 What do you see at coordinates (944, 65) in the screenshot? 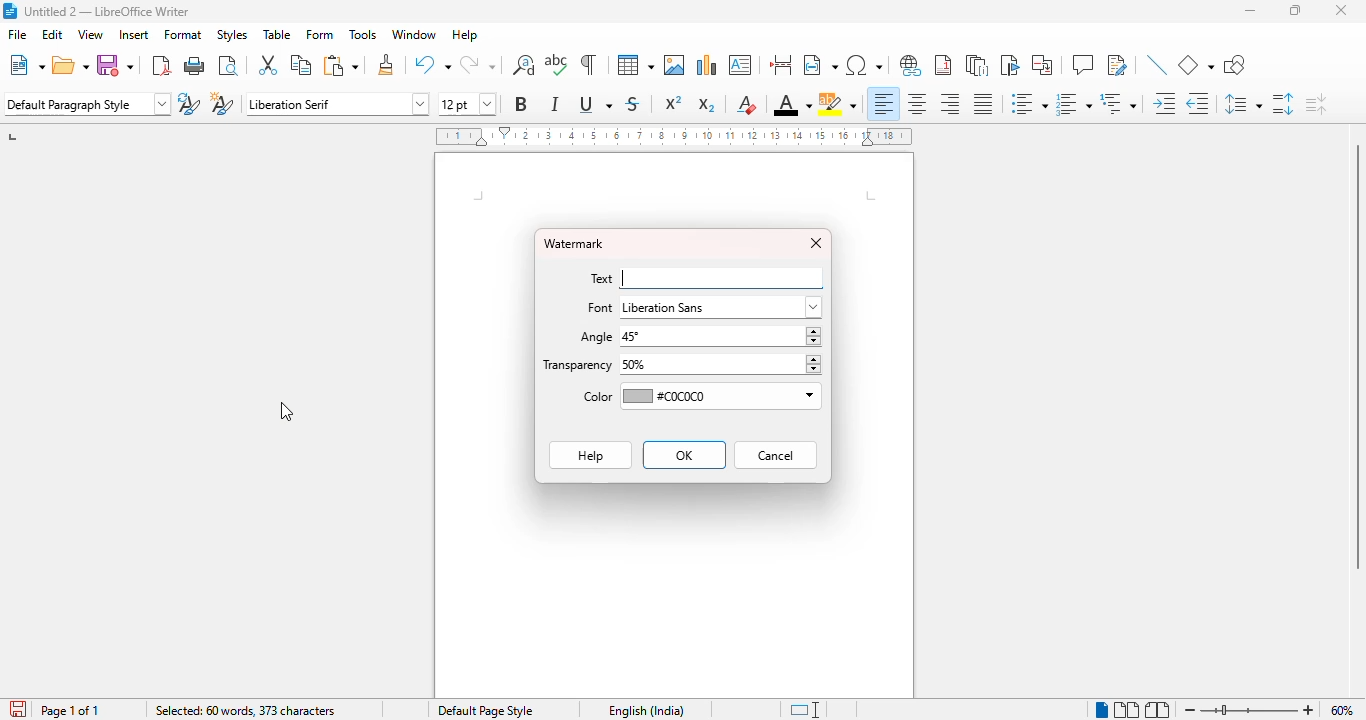
I see `insert footnote` at bounding box center [944, 65].